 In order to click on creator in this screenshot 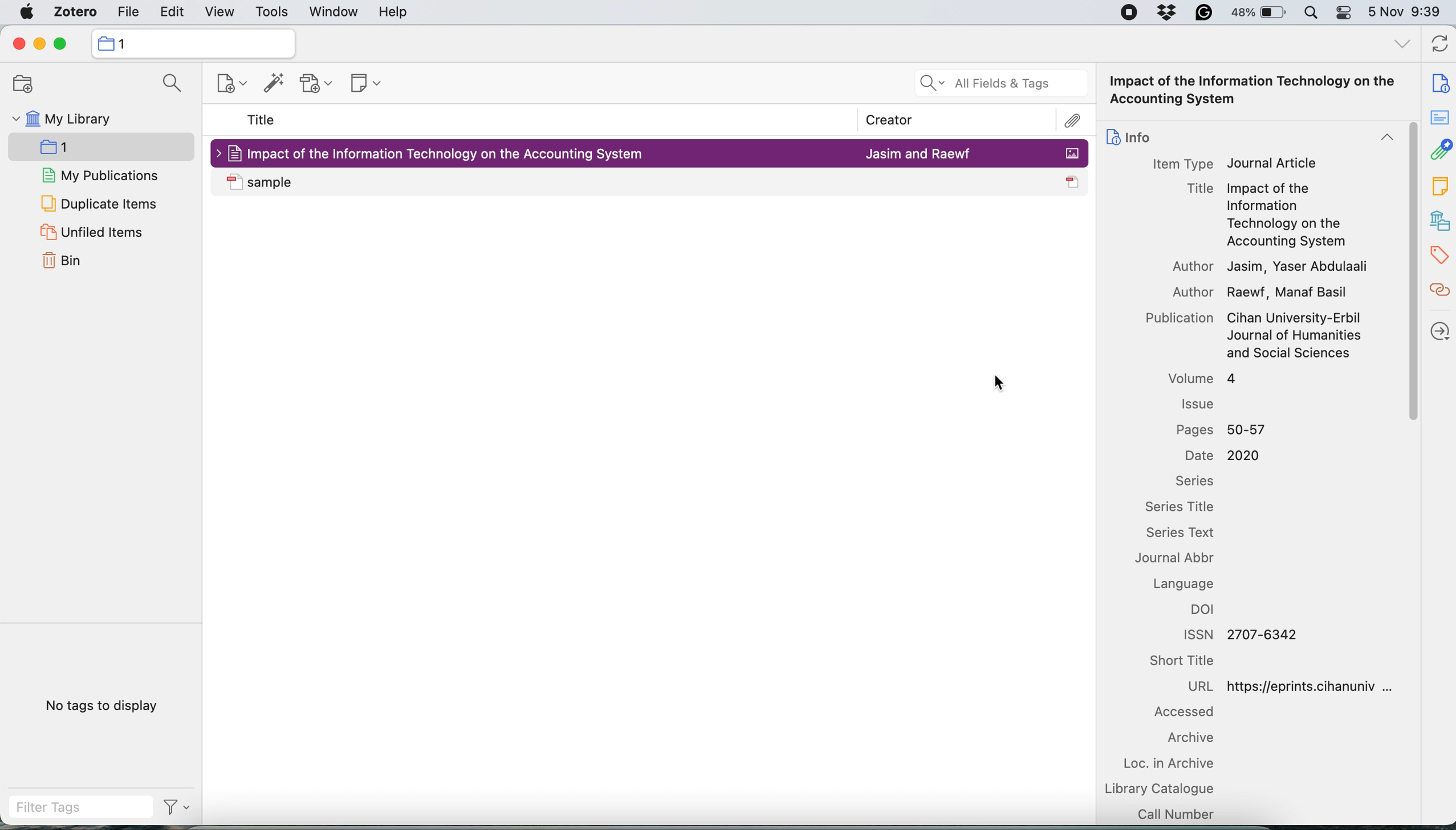, I will do `click(900, 120)`.